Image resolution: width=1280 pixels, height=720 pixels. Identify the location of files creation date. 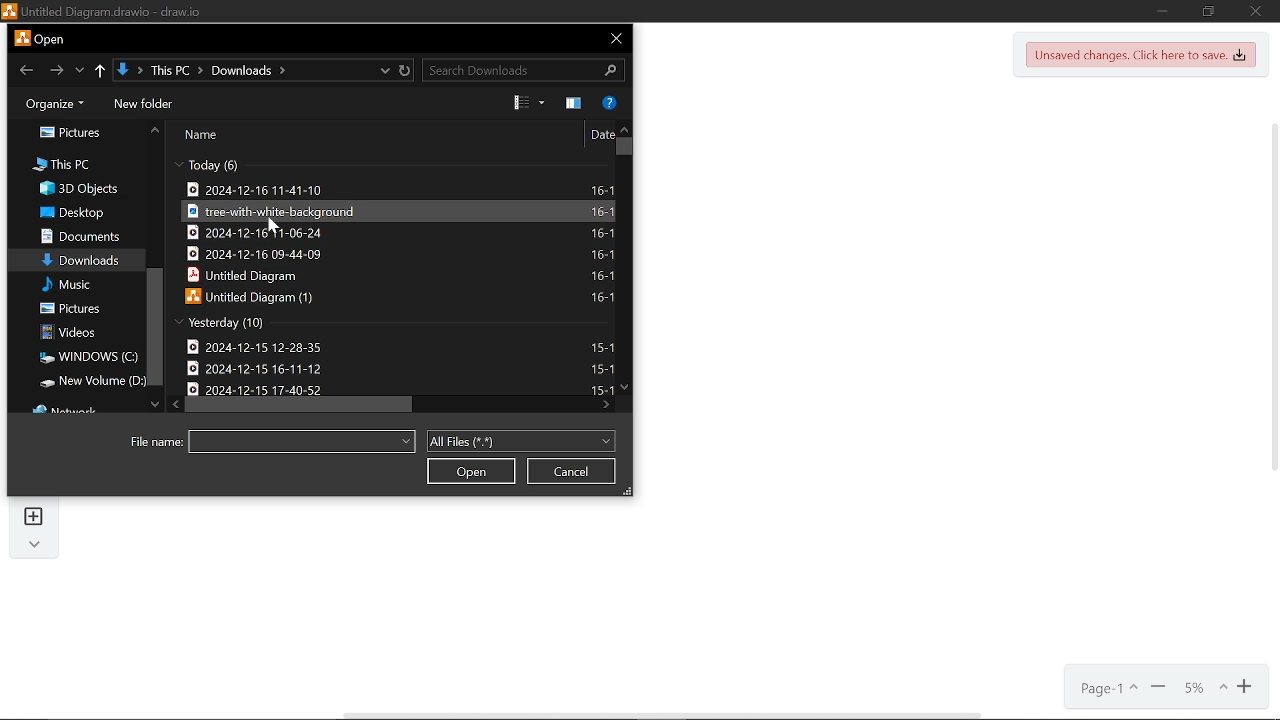
(204, 167).